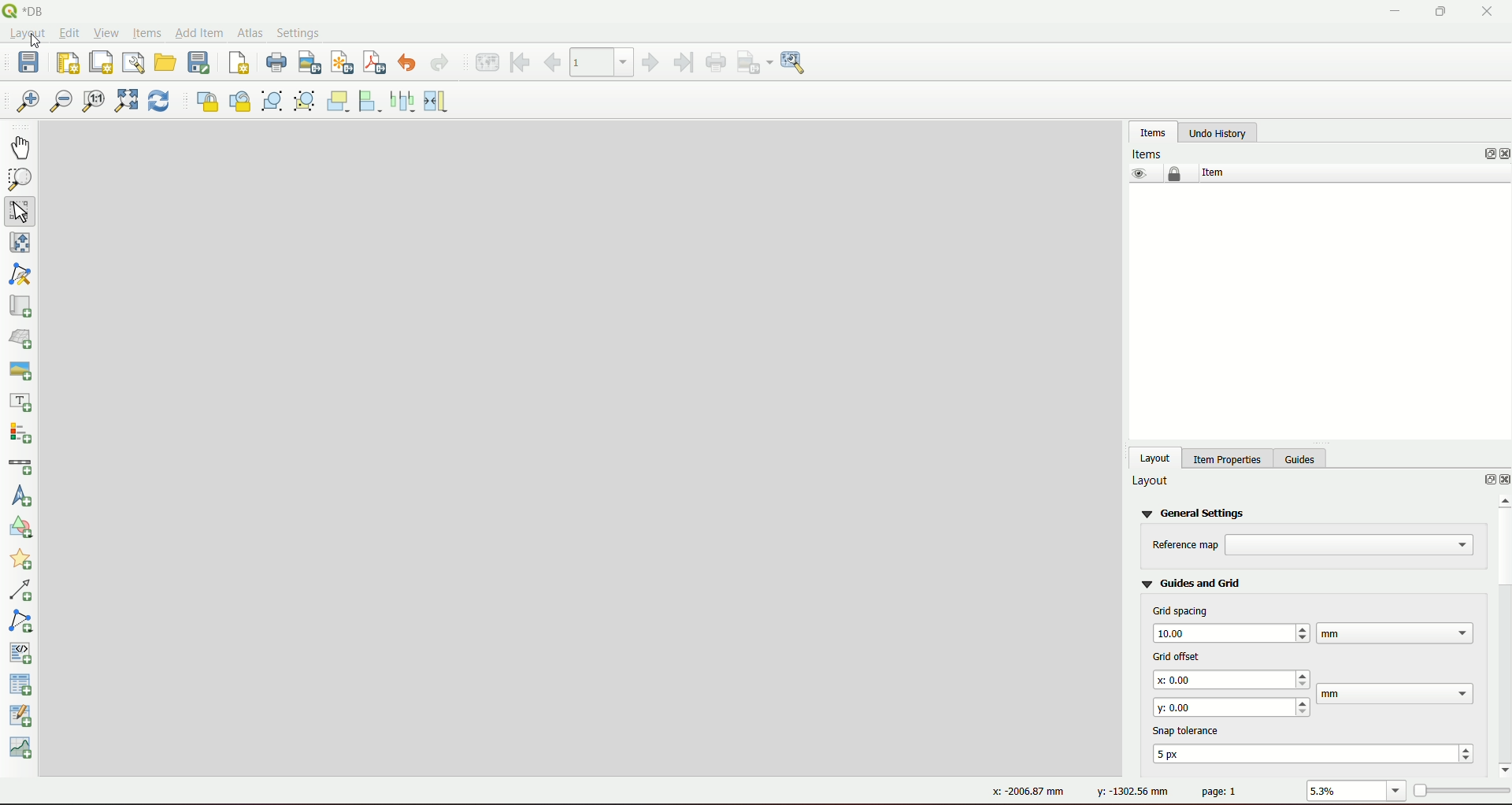  Describe the element at coordinates (1156, 457) in the screenshot. I see `layout` at that location.